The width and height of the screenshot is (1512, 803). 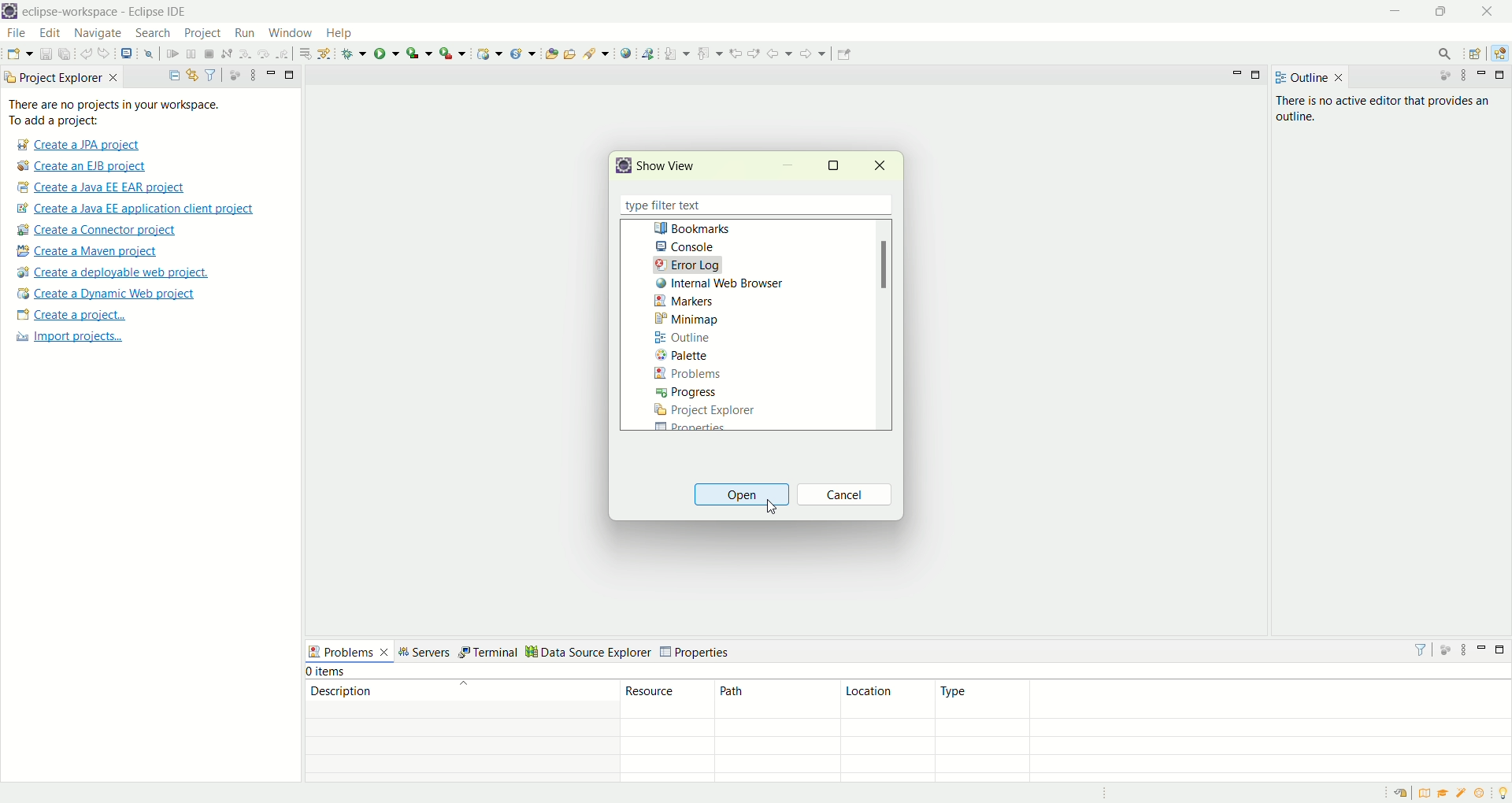 I want to click on resume, so click(x=172, y=53).